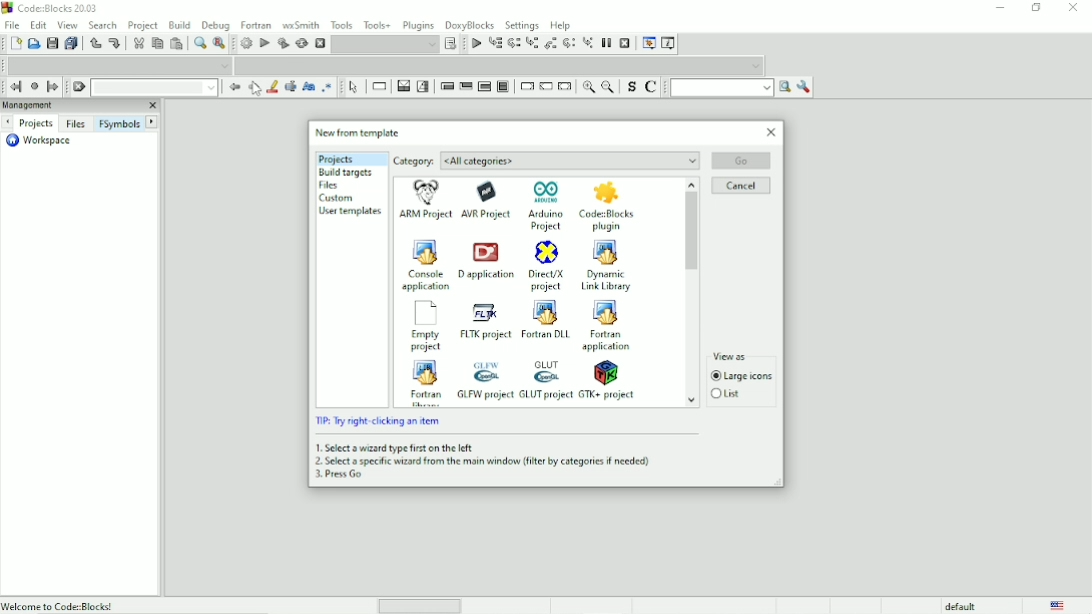  Describe the element at coordinates (93, 43) in the screenshot. I see `Undo` at that location.